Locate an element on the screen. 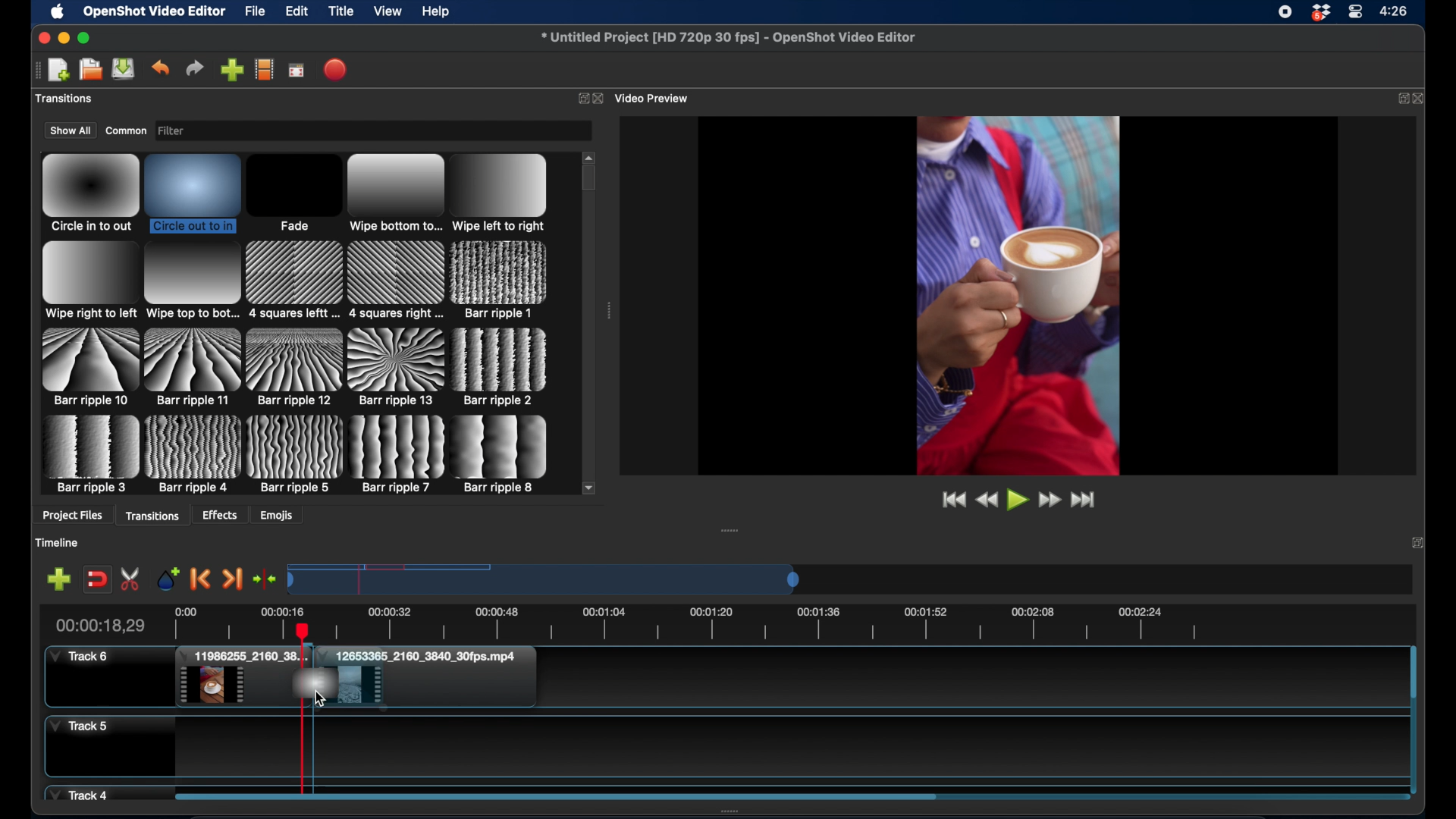 The image size is (1456, 819). add marker is located at coordinates (58, 579).